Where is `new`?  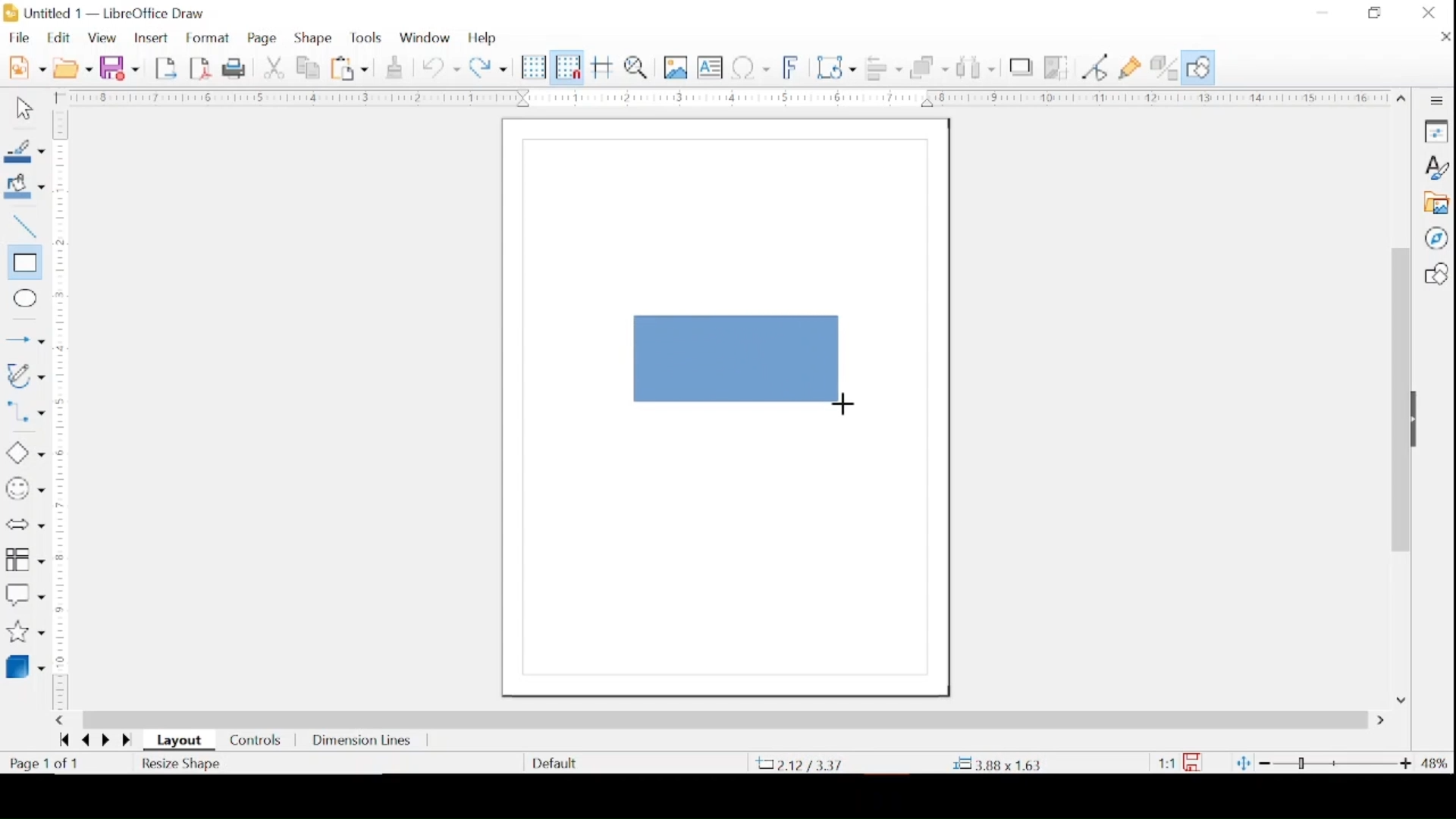 new is located at coordinates (27, 66).